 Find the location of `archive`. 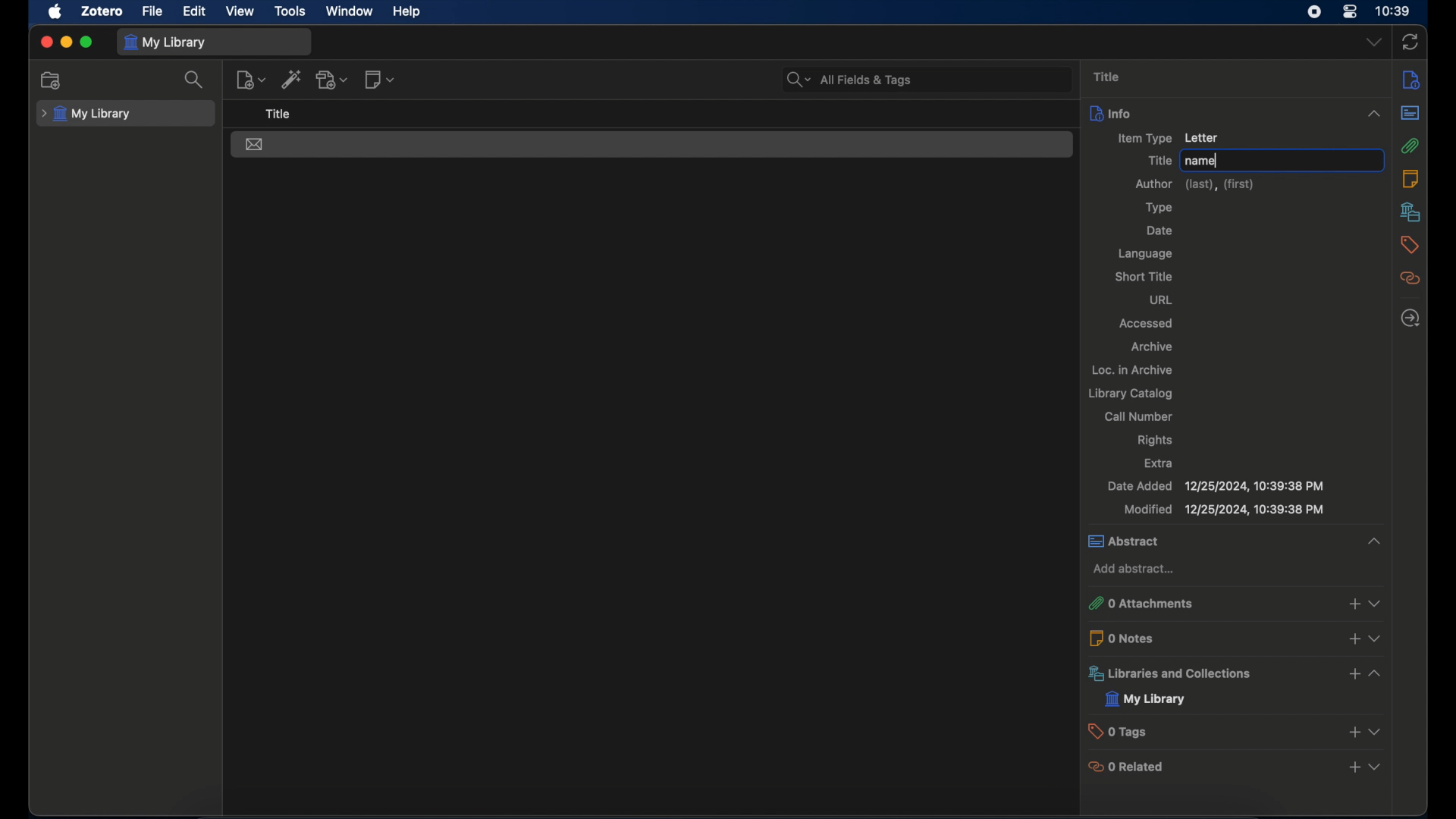

archive is located at coordinates (1151, 347).